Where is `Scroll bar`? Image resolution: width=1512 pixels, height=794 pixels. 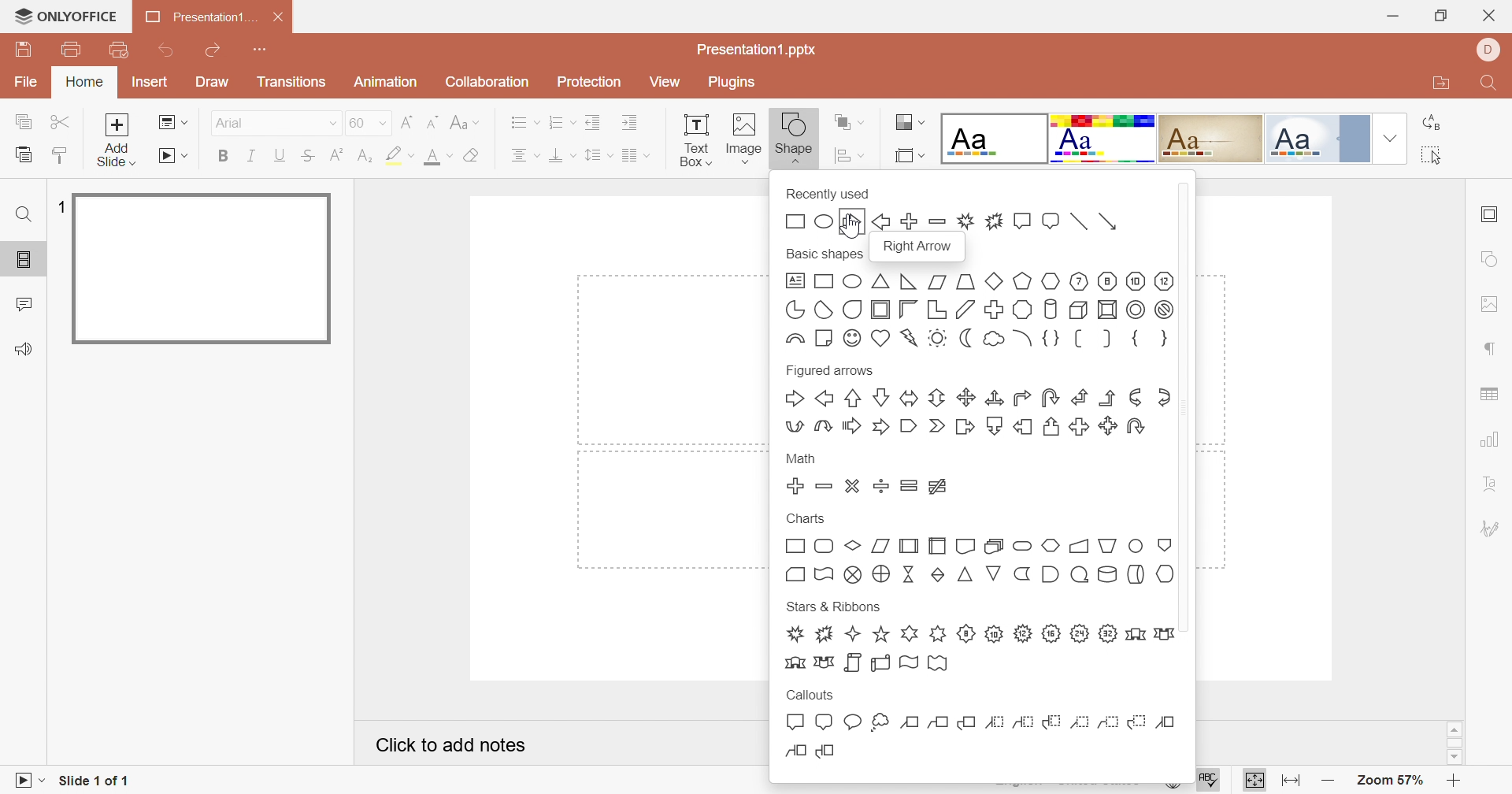
Scroll bar is located at coordinates (1455, 744).